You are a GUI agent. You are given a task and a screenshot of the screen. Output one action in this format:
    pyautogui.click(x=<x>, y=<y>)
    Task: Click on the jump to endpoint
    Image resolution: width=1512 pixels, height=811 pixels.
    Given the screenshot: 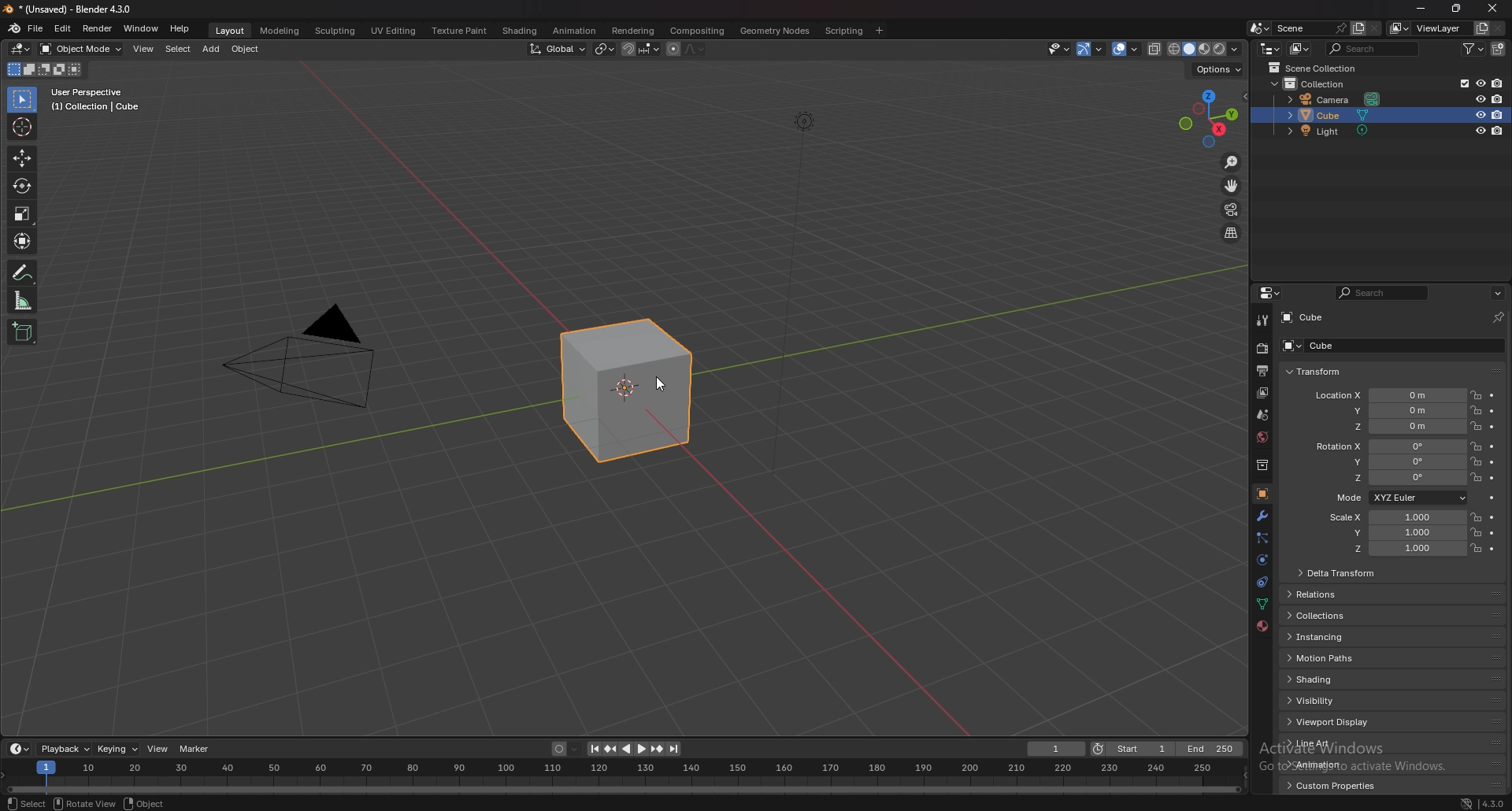 What is the action you would take?
    pyautogui.click(x=594, y=749)
    